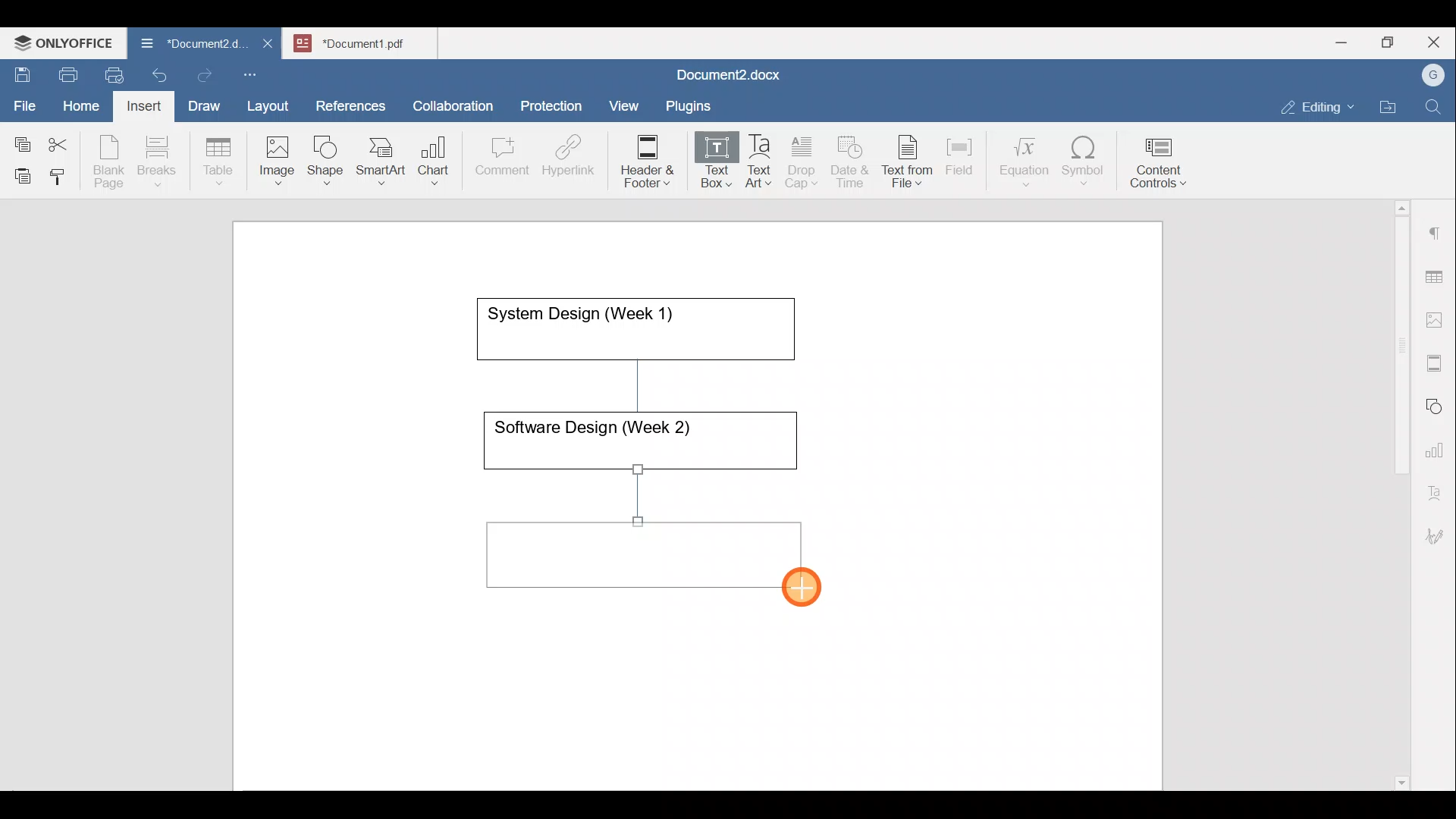 The image size is (1456, 819). What do you see at coordinates (450, 98) in the screenshot?
I see `Collaboration` at bounding box center [450, 98].